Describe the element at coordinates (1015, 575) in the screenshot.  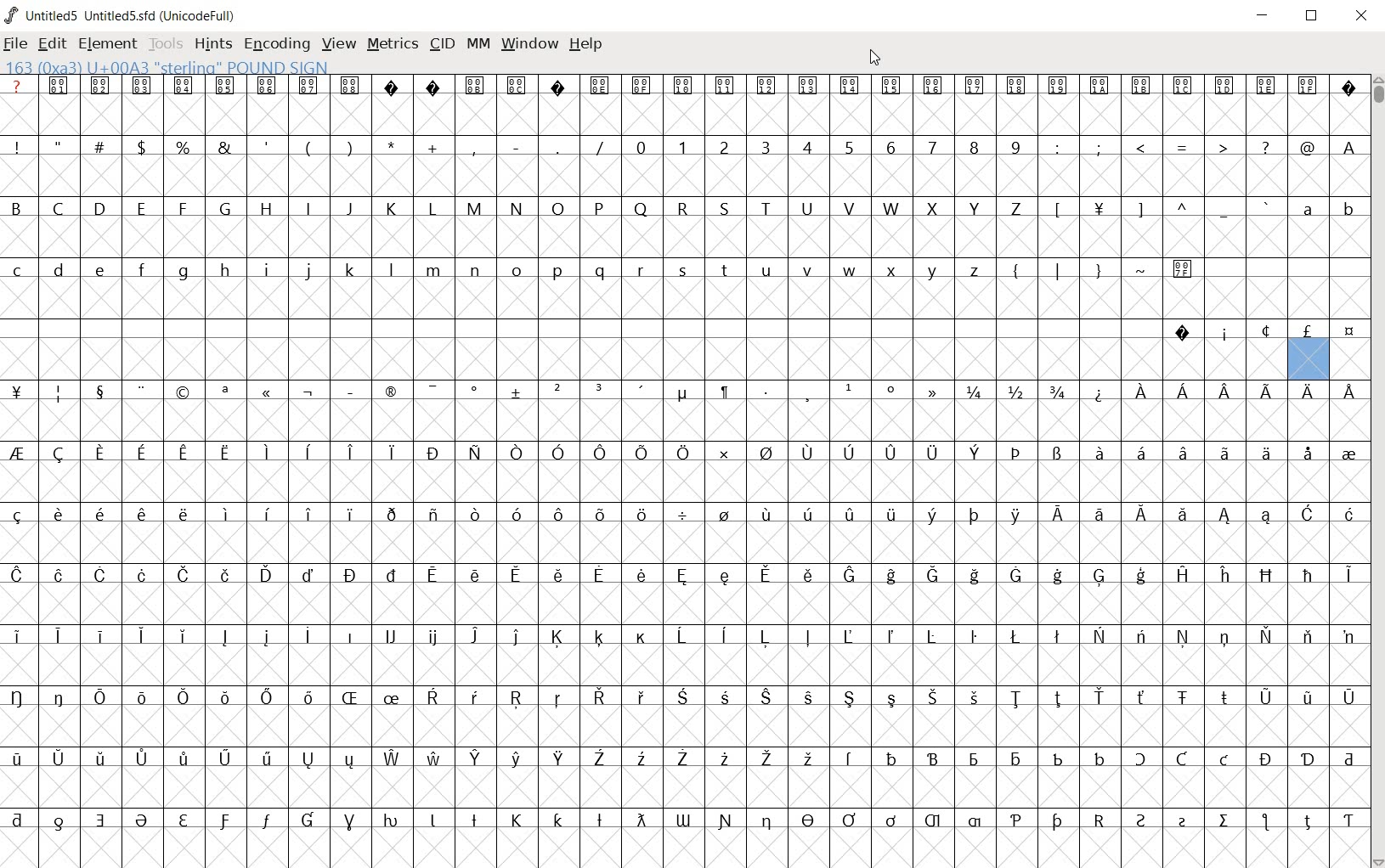
I see `Symbol` at that location.